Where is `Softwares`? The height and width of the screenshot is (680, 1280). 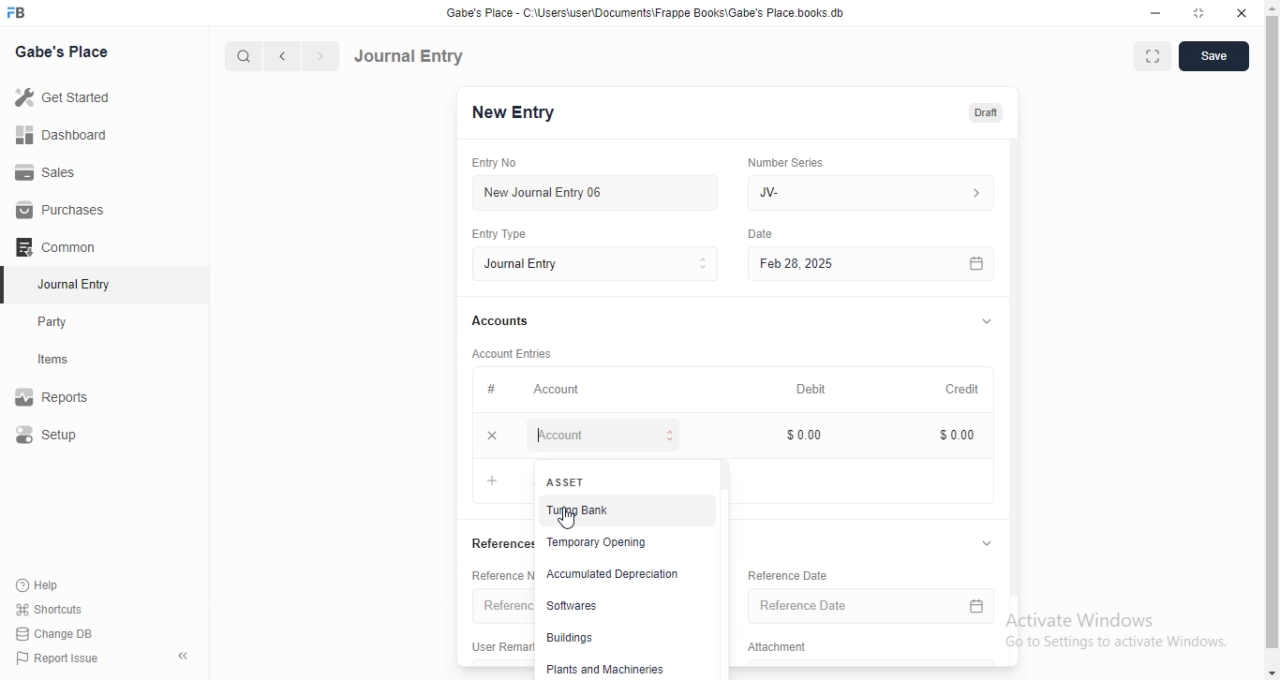 Softwares is located at coordinates (621, 605).